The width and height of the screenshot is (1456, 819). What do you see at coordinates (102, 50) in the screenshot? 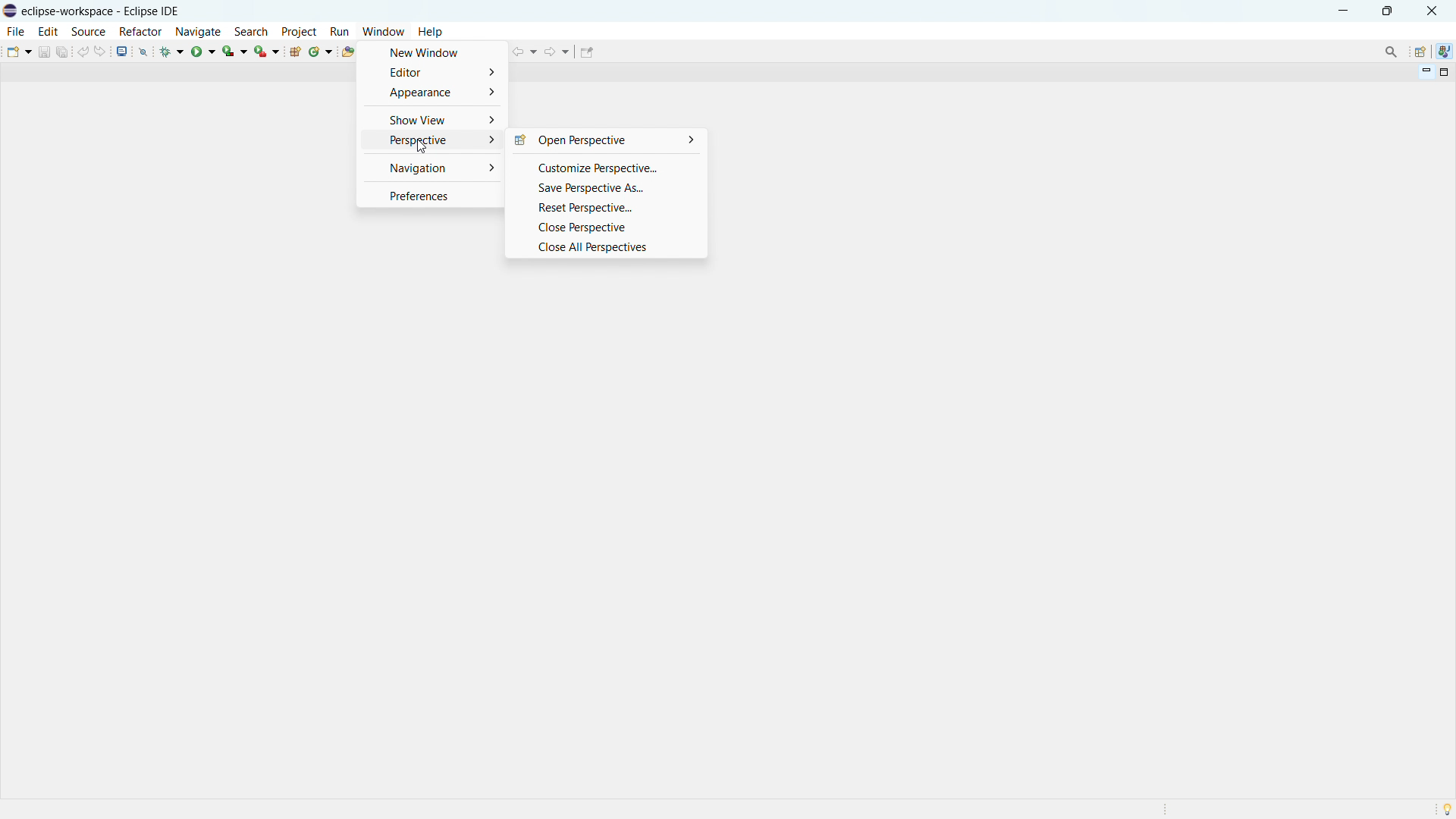
I see `redo` at bounding box center [102, 50].